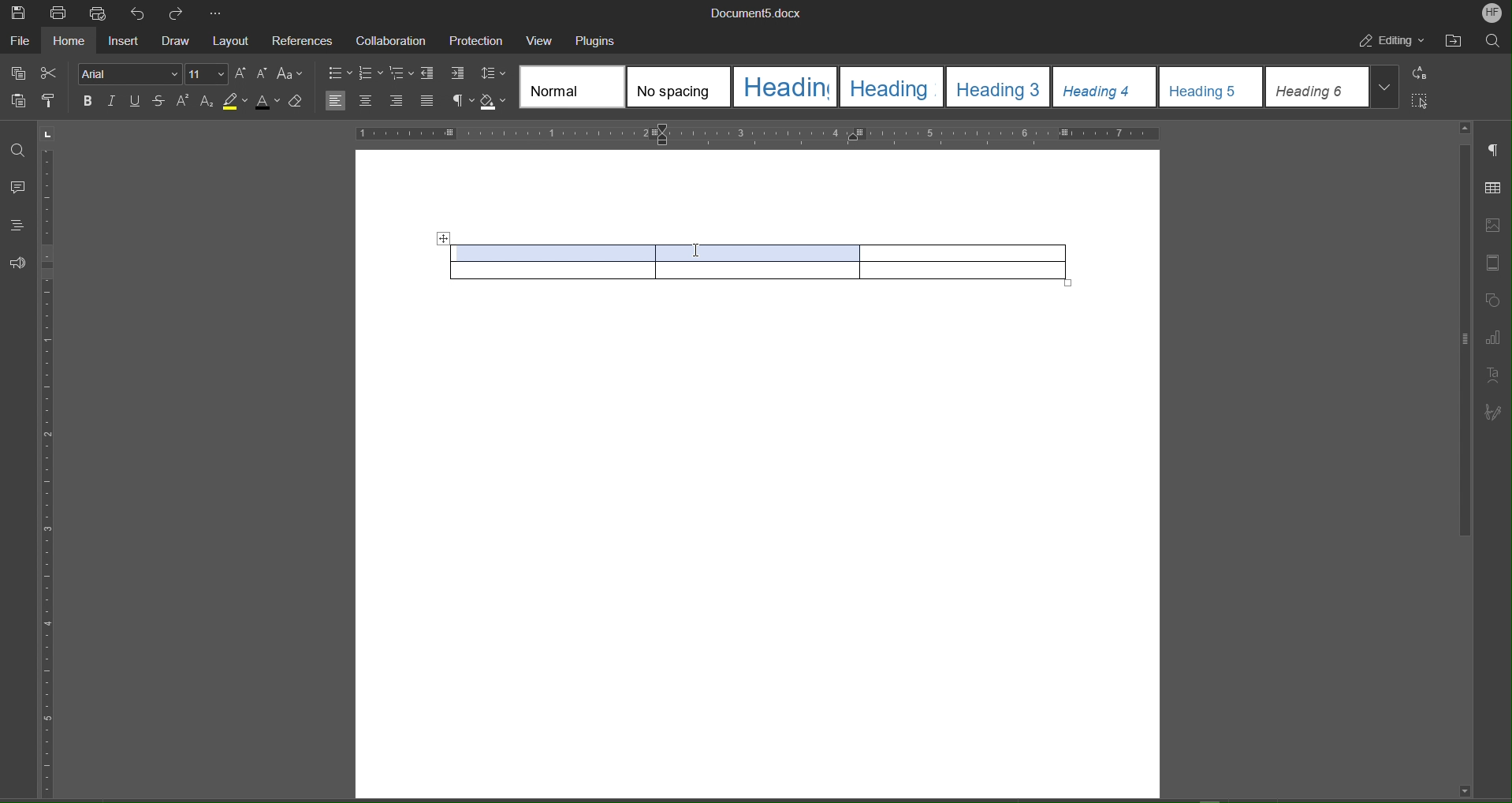 This screenshot has width=1512, height=803. Describe the element at coordinates (1494, 43) in the screenshot. I see `Search` at that location.